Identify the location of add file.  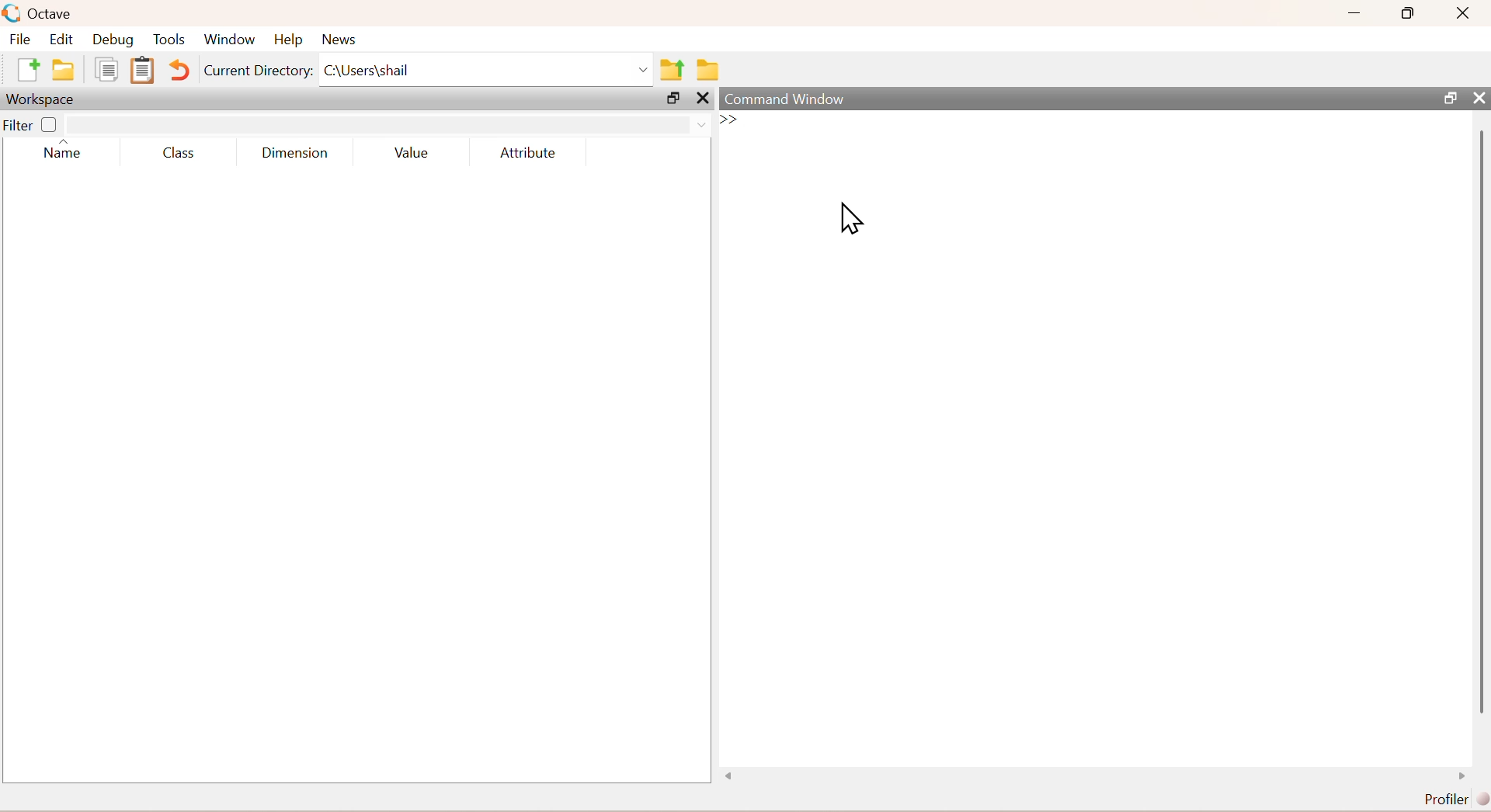
(30, 69).